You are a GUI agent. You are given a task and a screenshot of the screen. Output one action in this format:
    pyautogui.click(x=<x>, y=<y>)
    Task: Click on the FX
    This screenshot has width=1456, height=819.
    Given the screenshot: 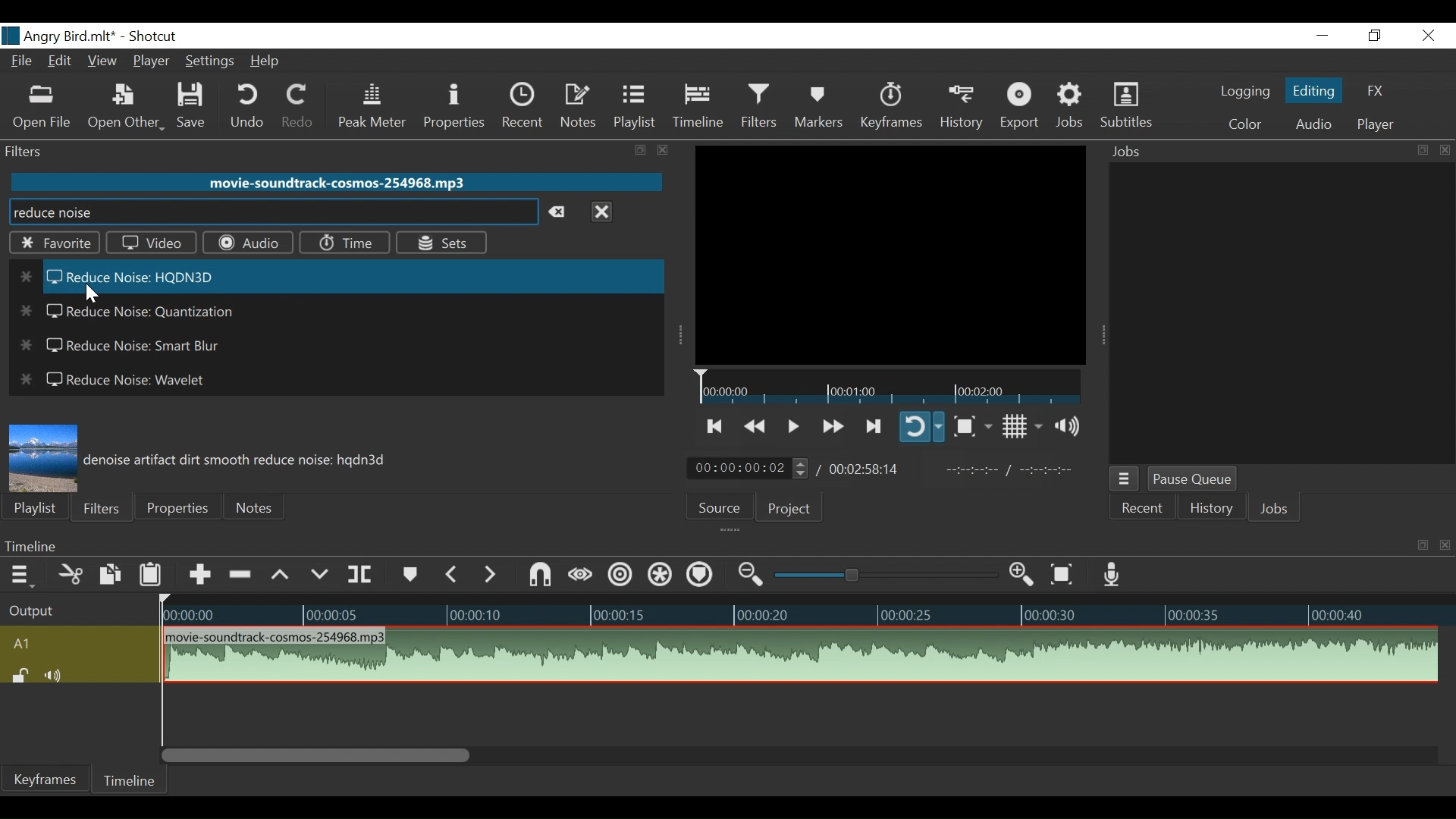 What is the action you would take?
    pyautogui.click(x=1373, y=91)
    